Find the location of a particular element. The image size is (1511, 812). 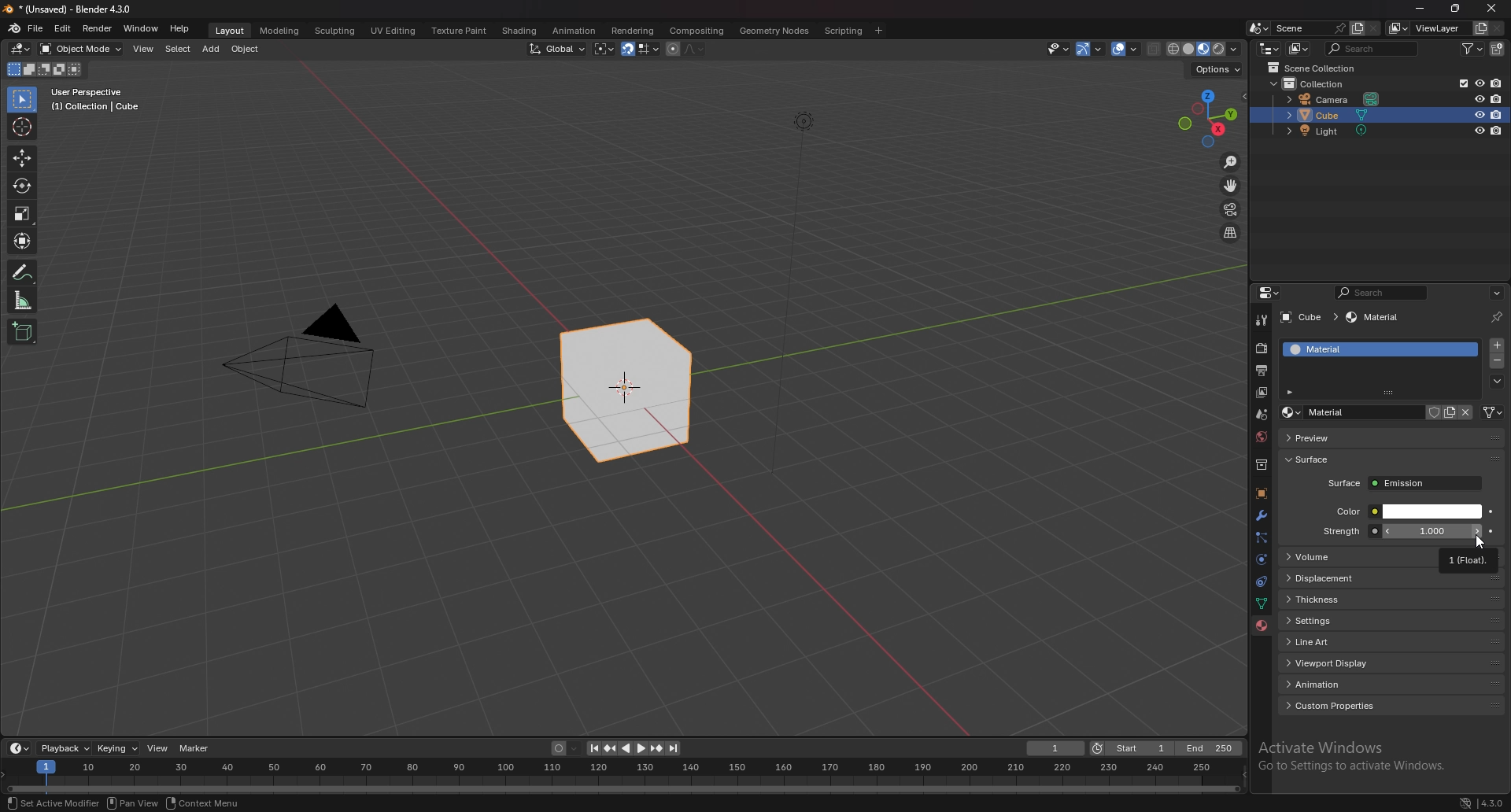

1 is located at coordinates (1056, 748).